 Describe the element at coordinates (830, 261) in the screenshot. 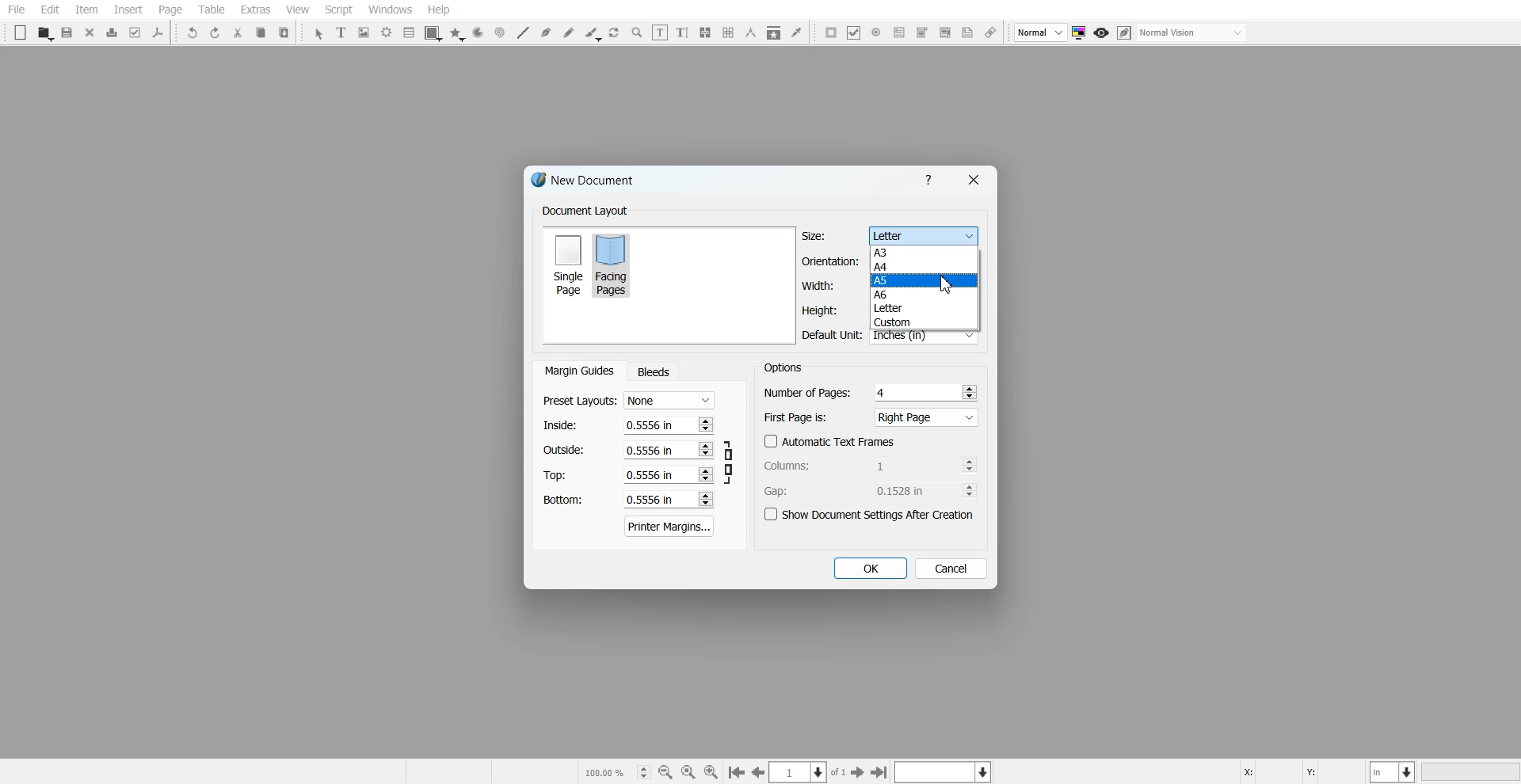

I see `Orientation` at that location.